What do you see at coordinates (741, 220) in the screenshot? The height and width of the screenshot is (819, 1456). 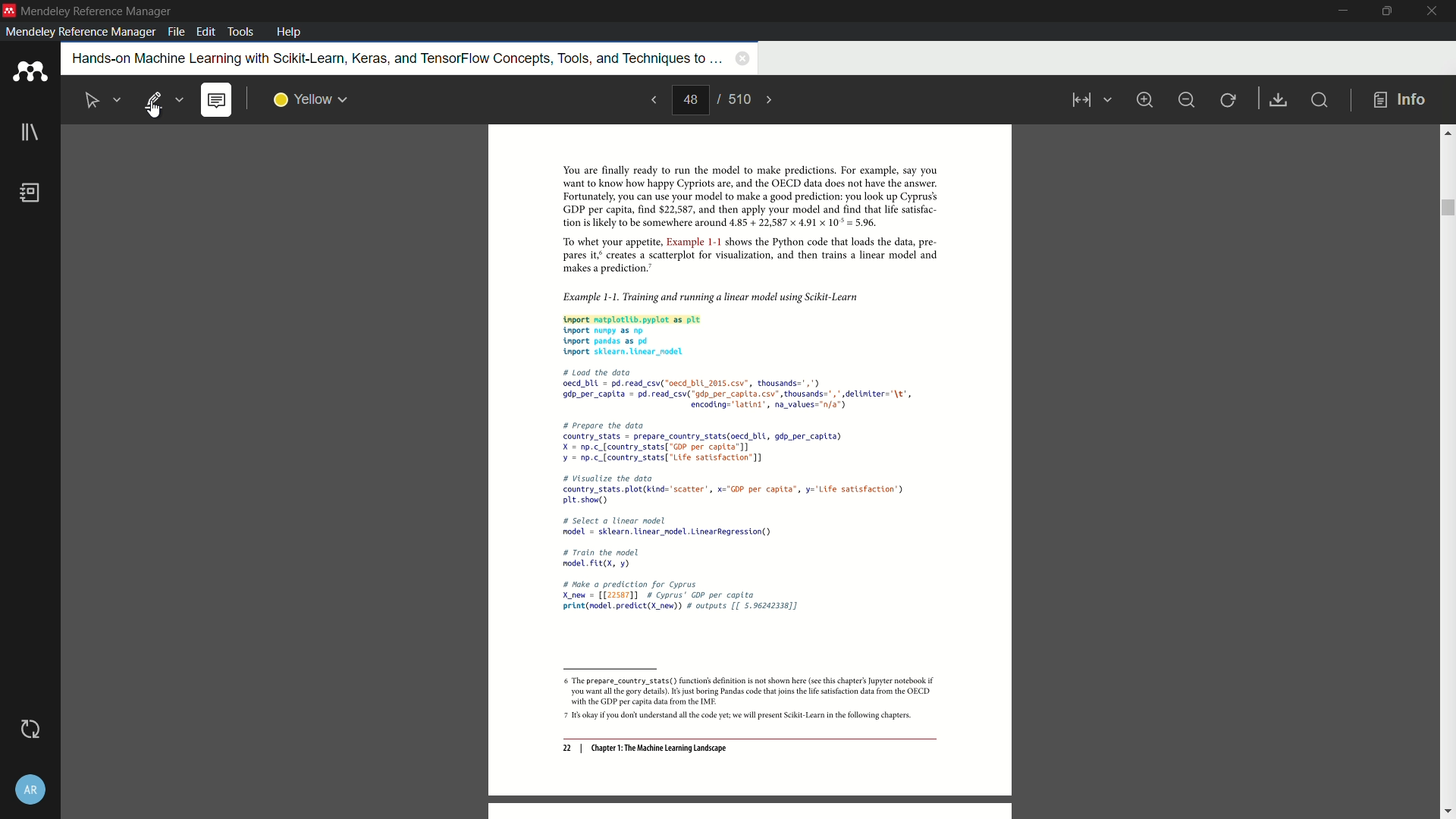 I see `You are finally ready to run the model to make predictions. For example, say you
want to know how happy Cypriots are, and the OECD data does not have the answer.
Fortunately, you can use your model to make a good prediction: you look up Cyprus’
GDP per capita, find $22,587, and then apply your model and find that life satsfac-
tion is likely to be somewhere around 4.85 + 22,587 x 4.91 x 10° = 5.96.

“To whet your appetite, Example 1-1 shows the Python code that loads the data, pre
pares it creates a scatterplot for visualization, and then trains a linear model and
‘makes a prediction.”` at bounding box center [741, 220].